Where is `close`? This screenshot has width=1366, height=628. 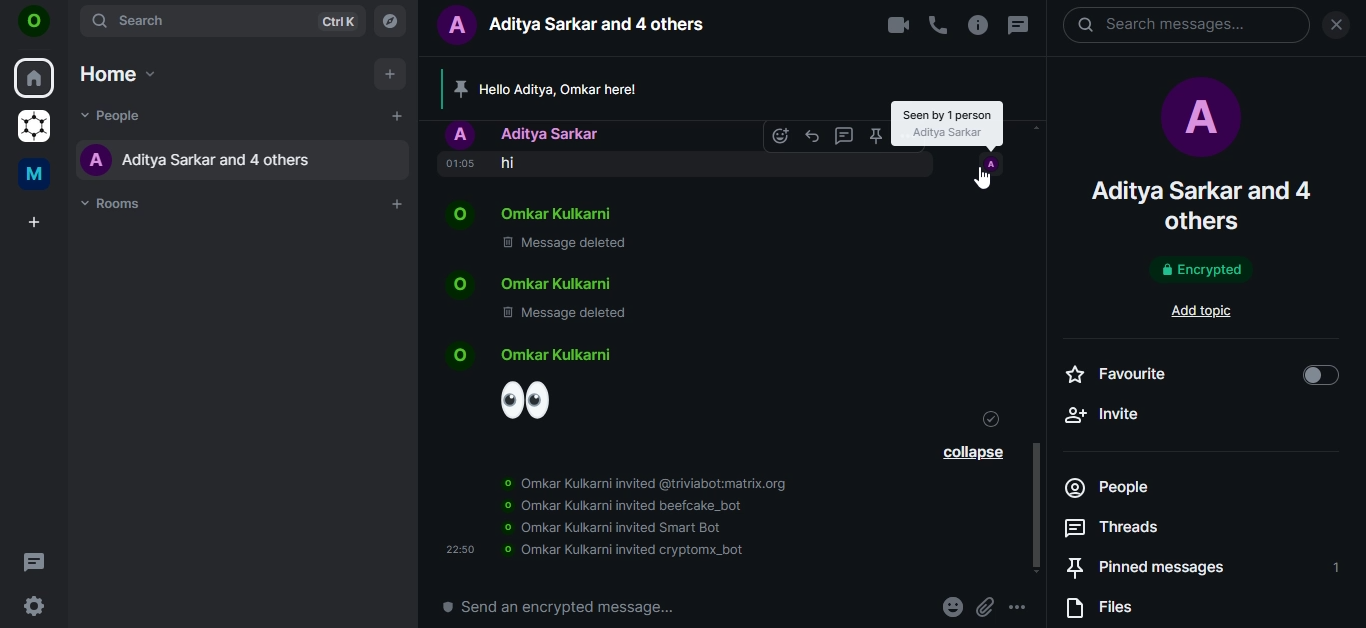 close is located at coordinates (1336, 26).